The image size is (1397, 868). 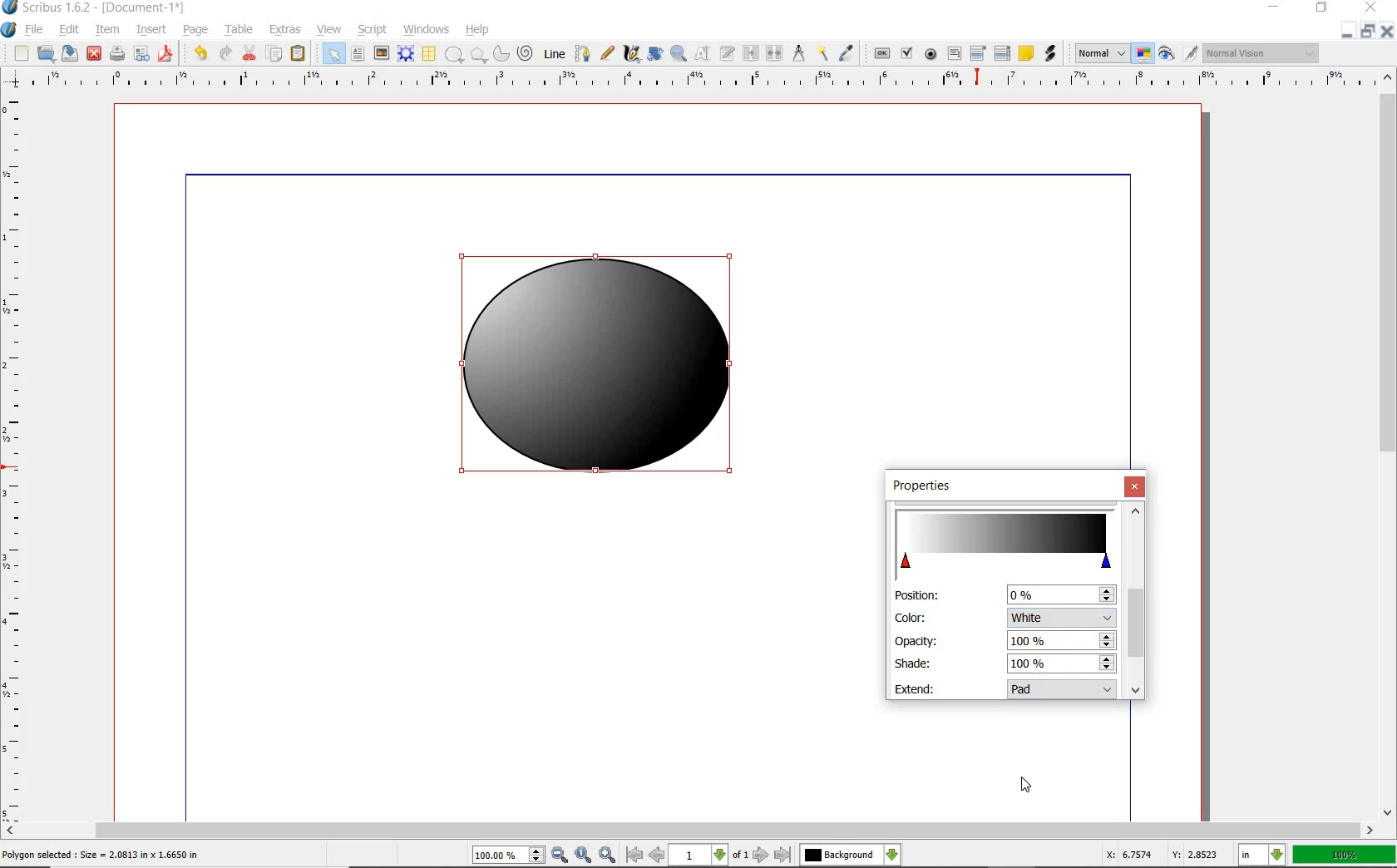 I want to click on RENDER FRAME, so click(x=404, y=53).